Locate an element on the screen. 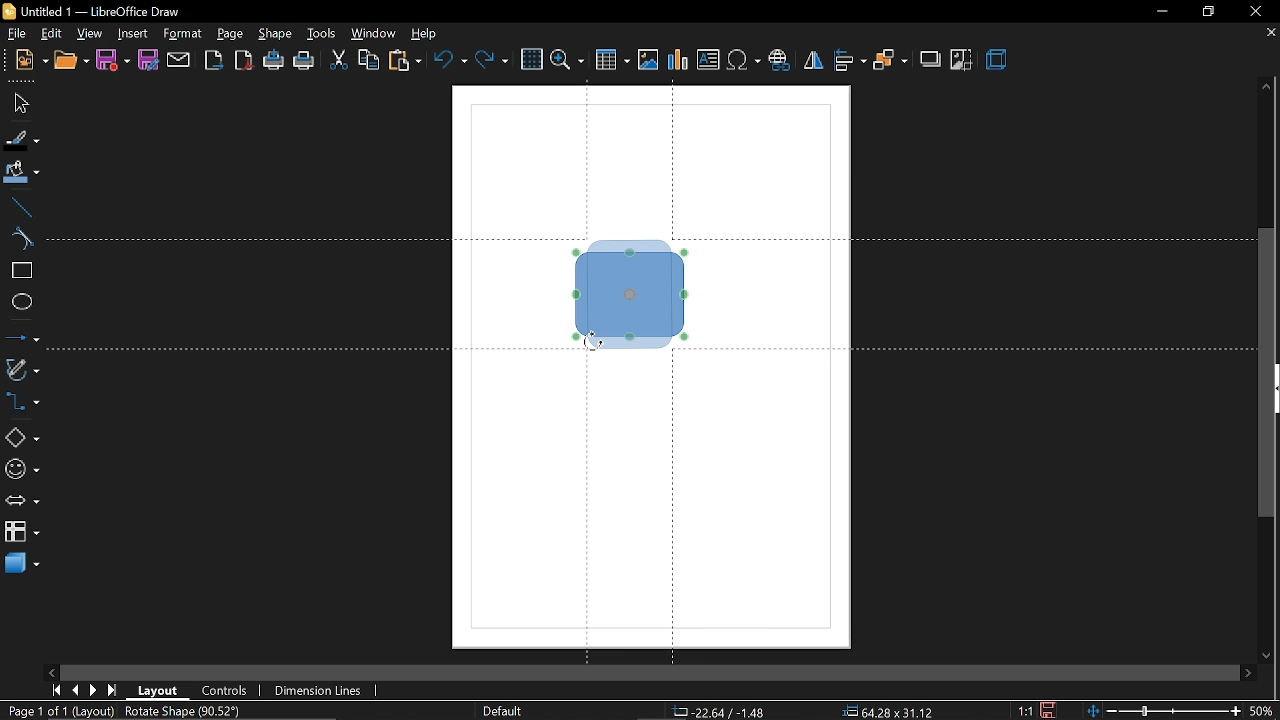 The height and width of the screenshot is (720, 1280). export is located at coordinates (213, 60).